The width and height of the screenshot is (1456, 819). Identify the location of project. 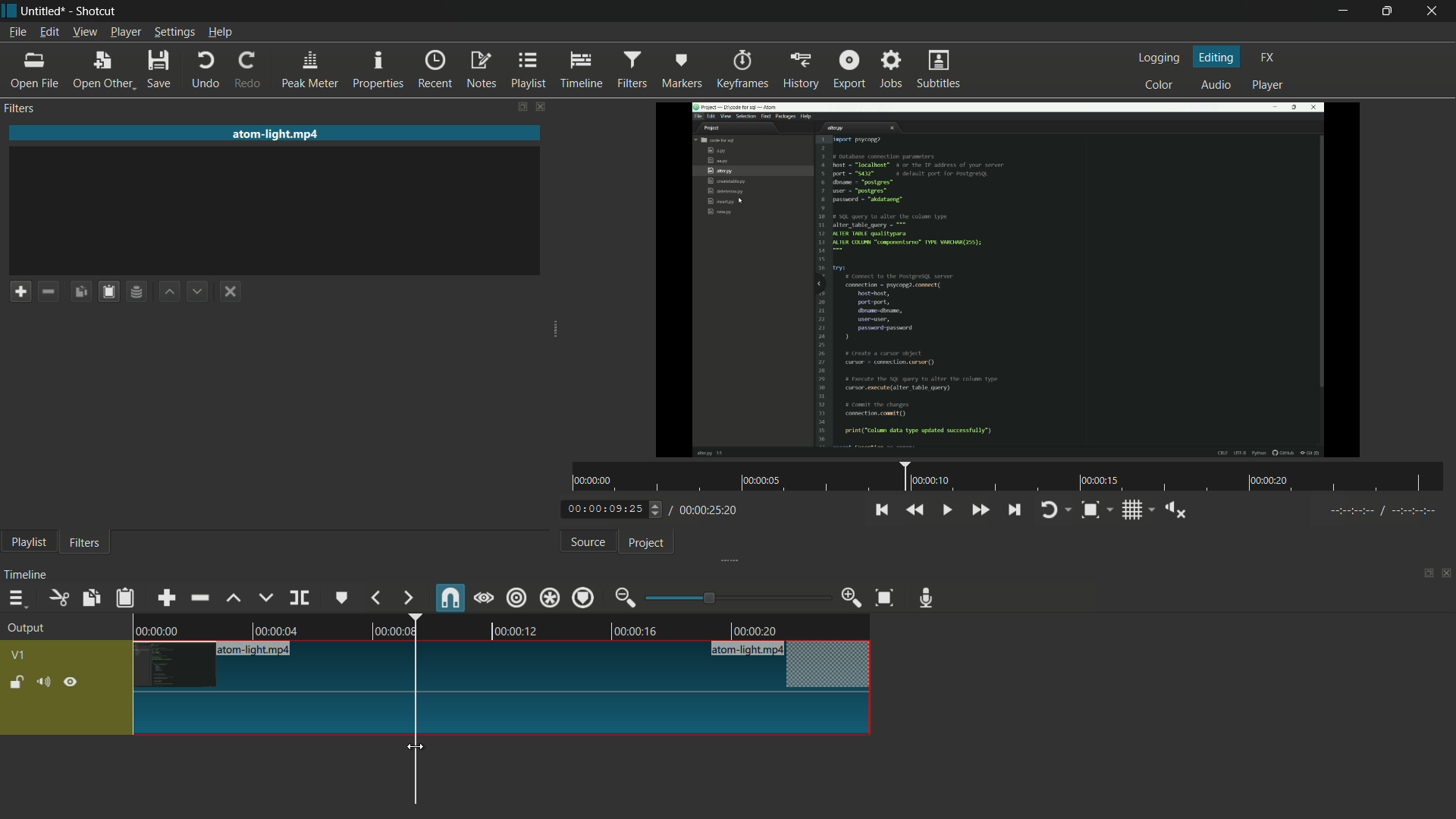
(648, 544).